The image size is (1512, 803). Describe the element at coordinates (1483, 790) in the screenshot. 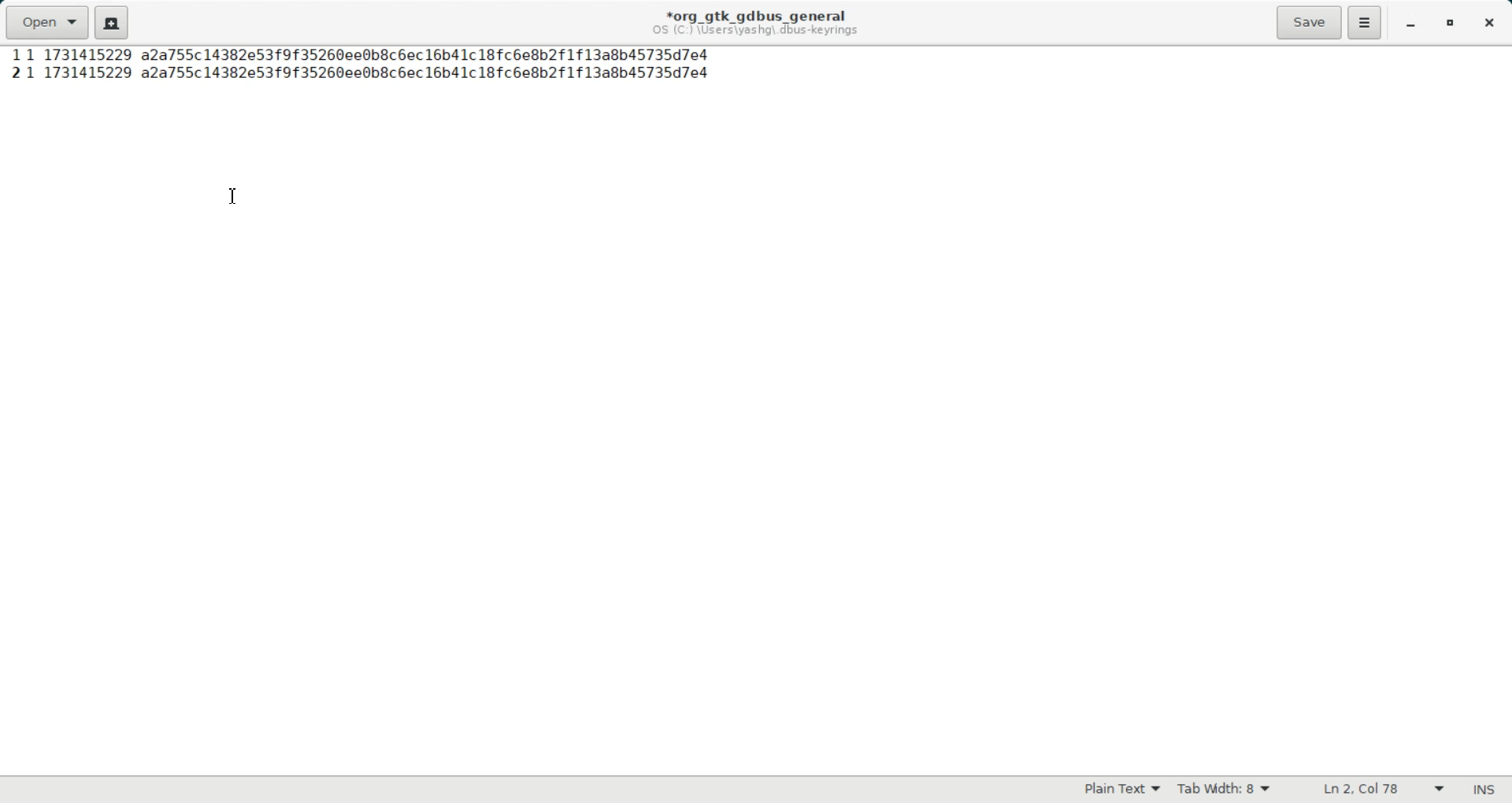

I see `Text` at that location.